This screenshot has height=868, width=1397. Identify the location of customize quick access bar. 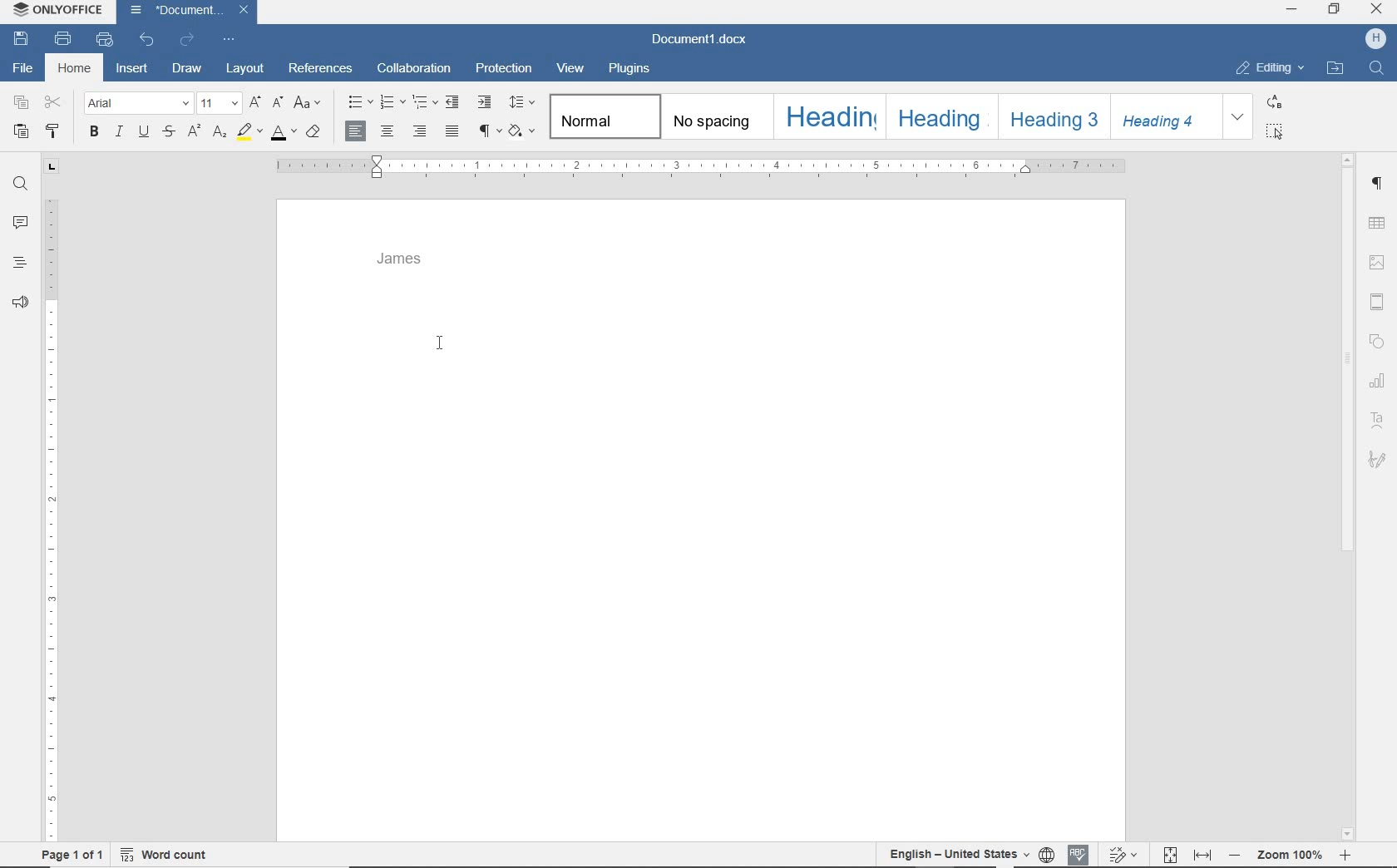
(230, 39).